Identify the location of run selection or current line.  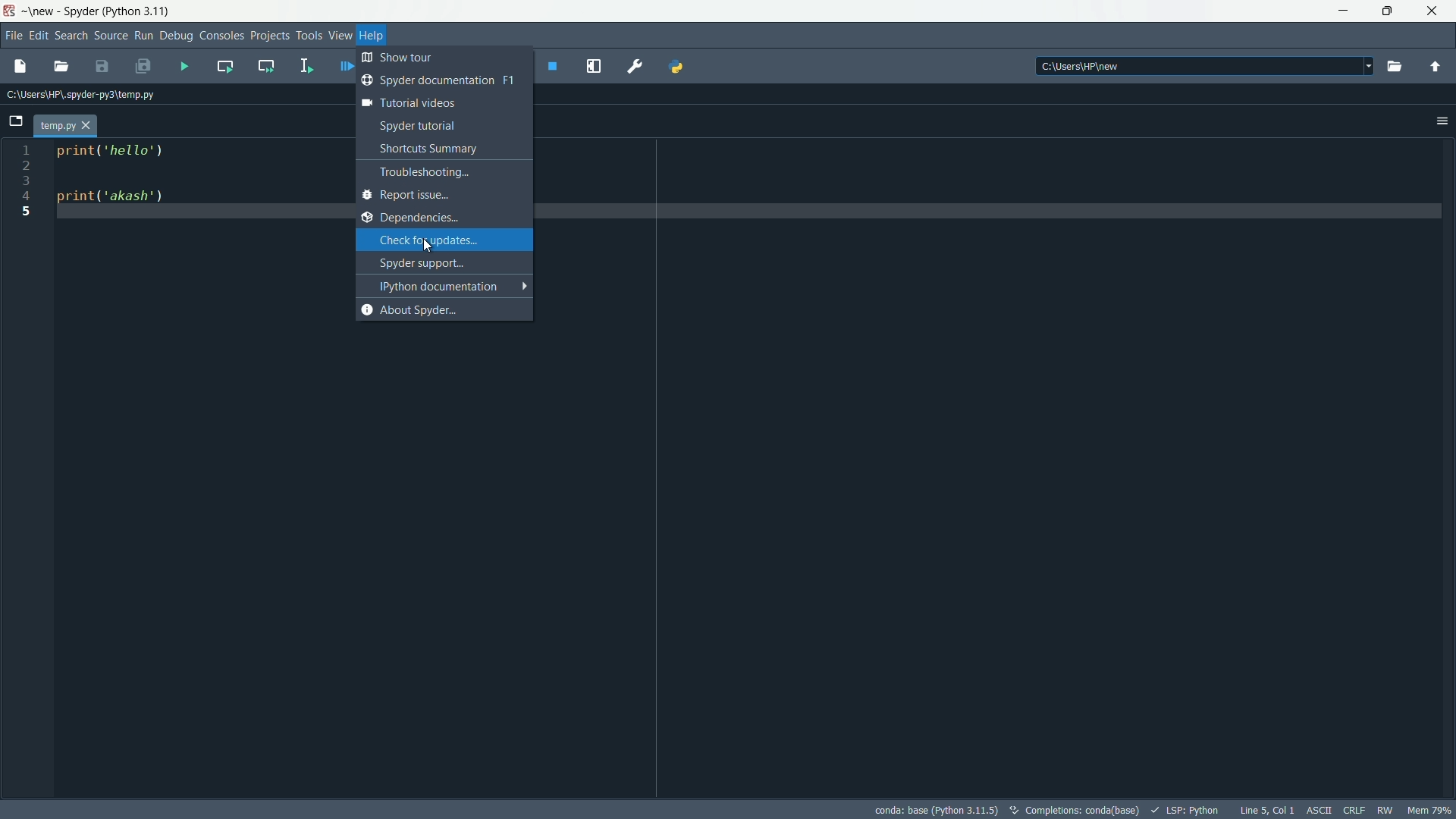
(306, 66).